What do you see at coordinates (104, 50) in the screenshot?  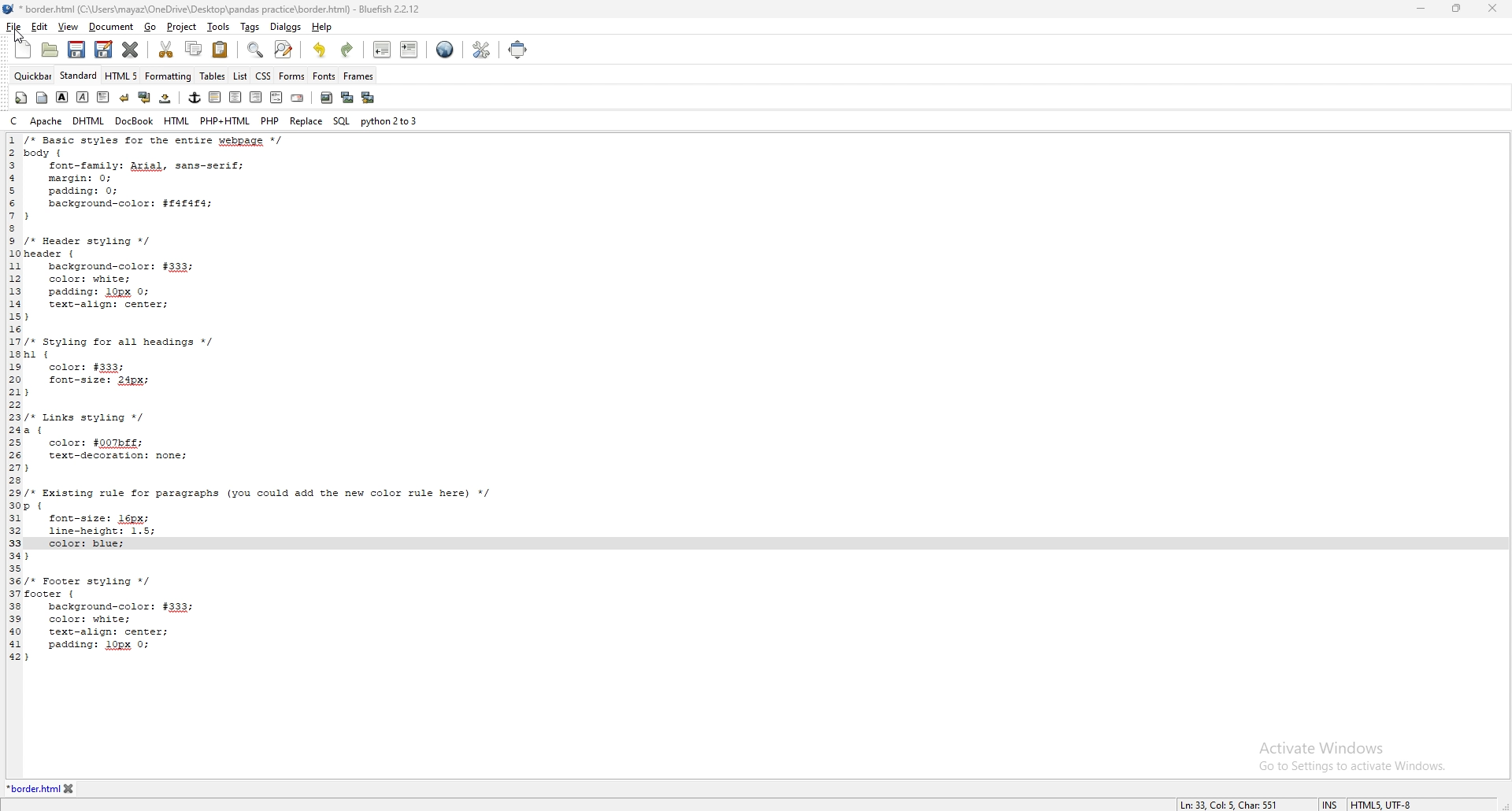 I see `save as` at bounding box center [104, 50].